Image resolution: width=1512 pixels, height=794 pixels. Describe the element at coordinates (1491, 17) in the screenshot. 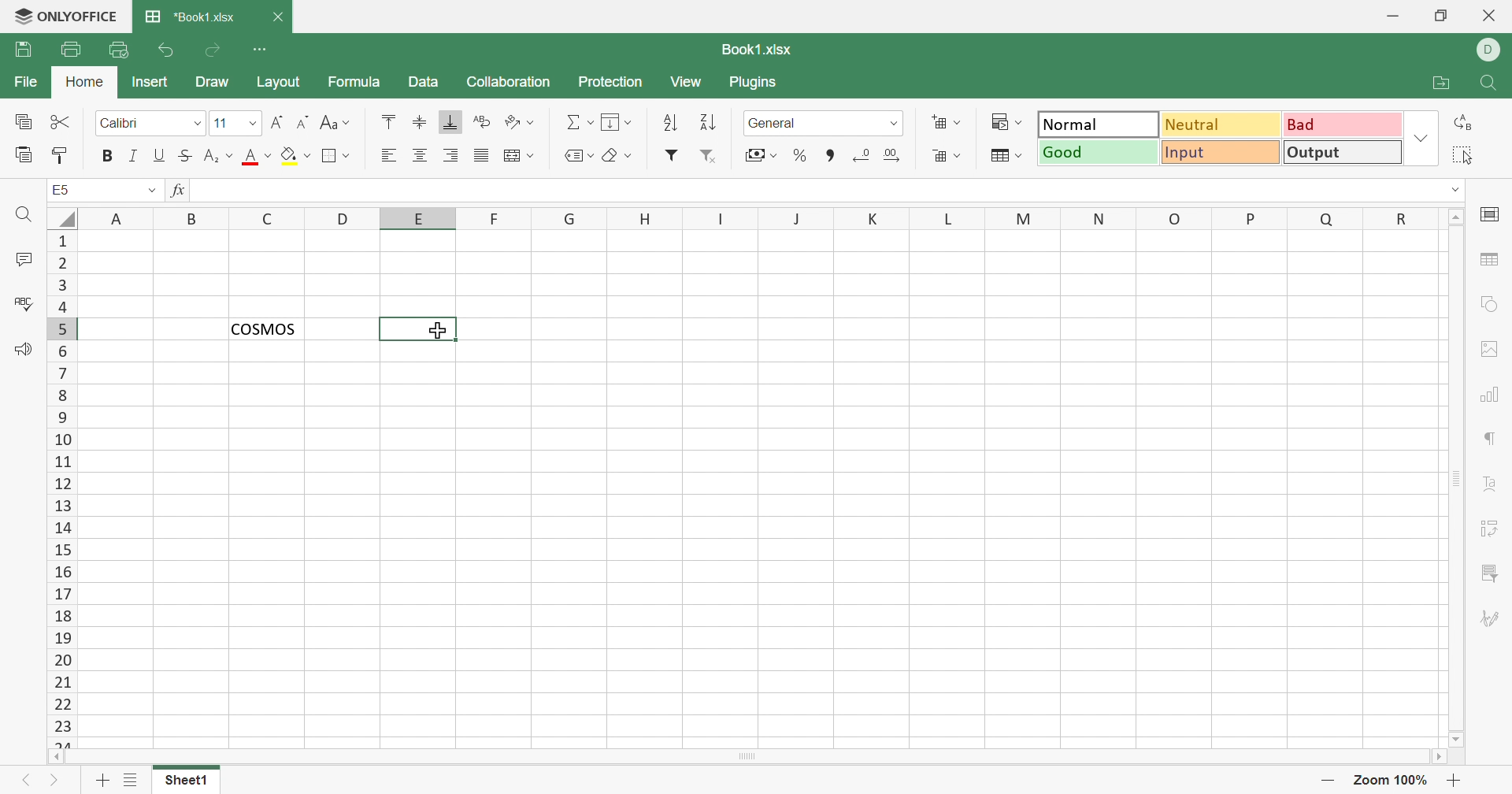

I see `Close` at that location.